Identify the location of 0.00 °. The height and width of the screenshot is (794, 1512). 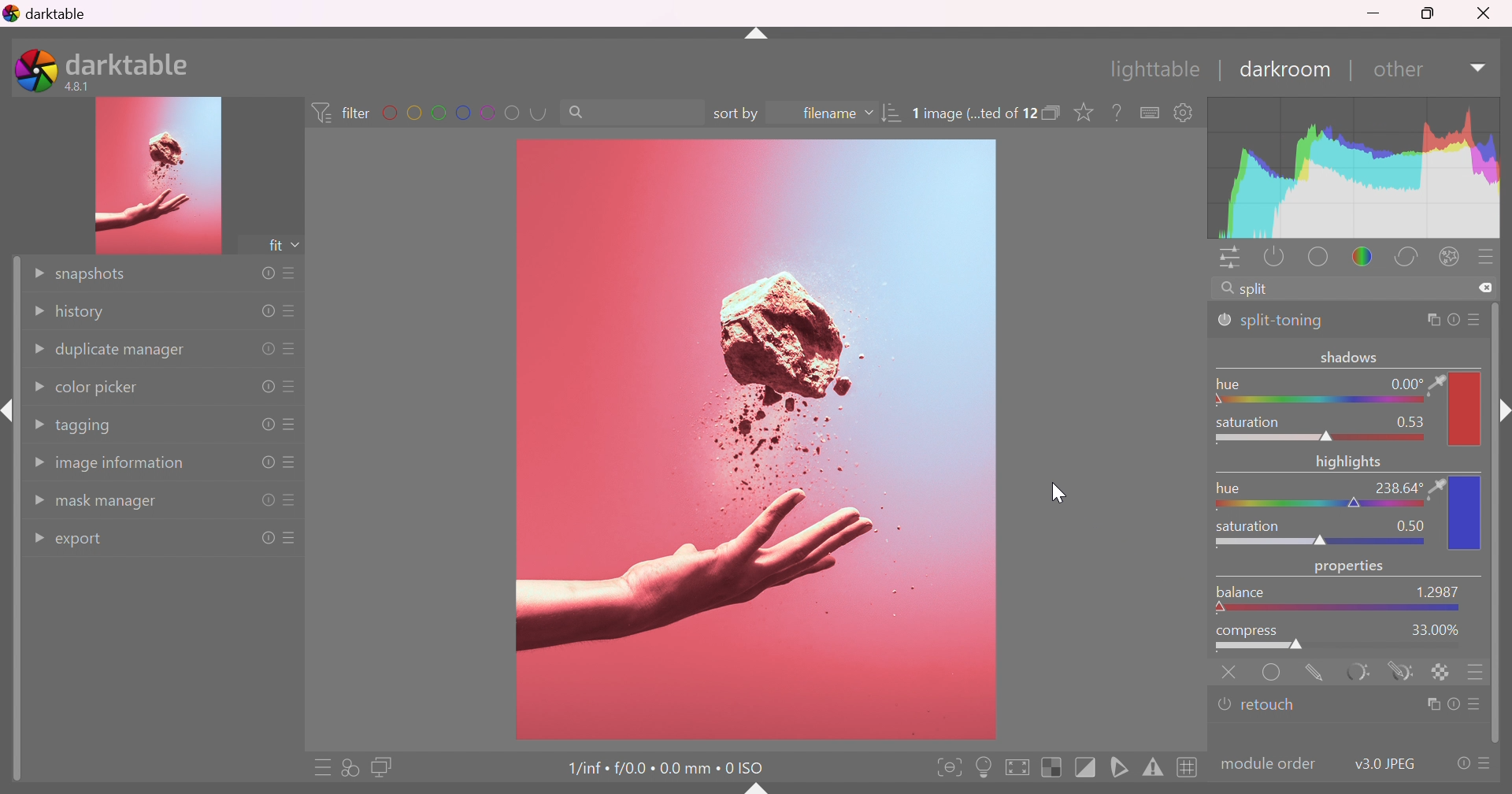
(1406, 383).